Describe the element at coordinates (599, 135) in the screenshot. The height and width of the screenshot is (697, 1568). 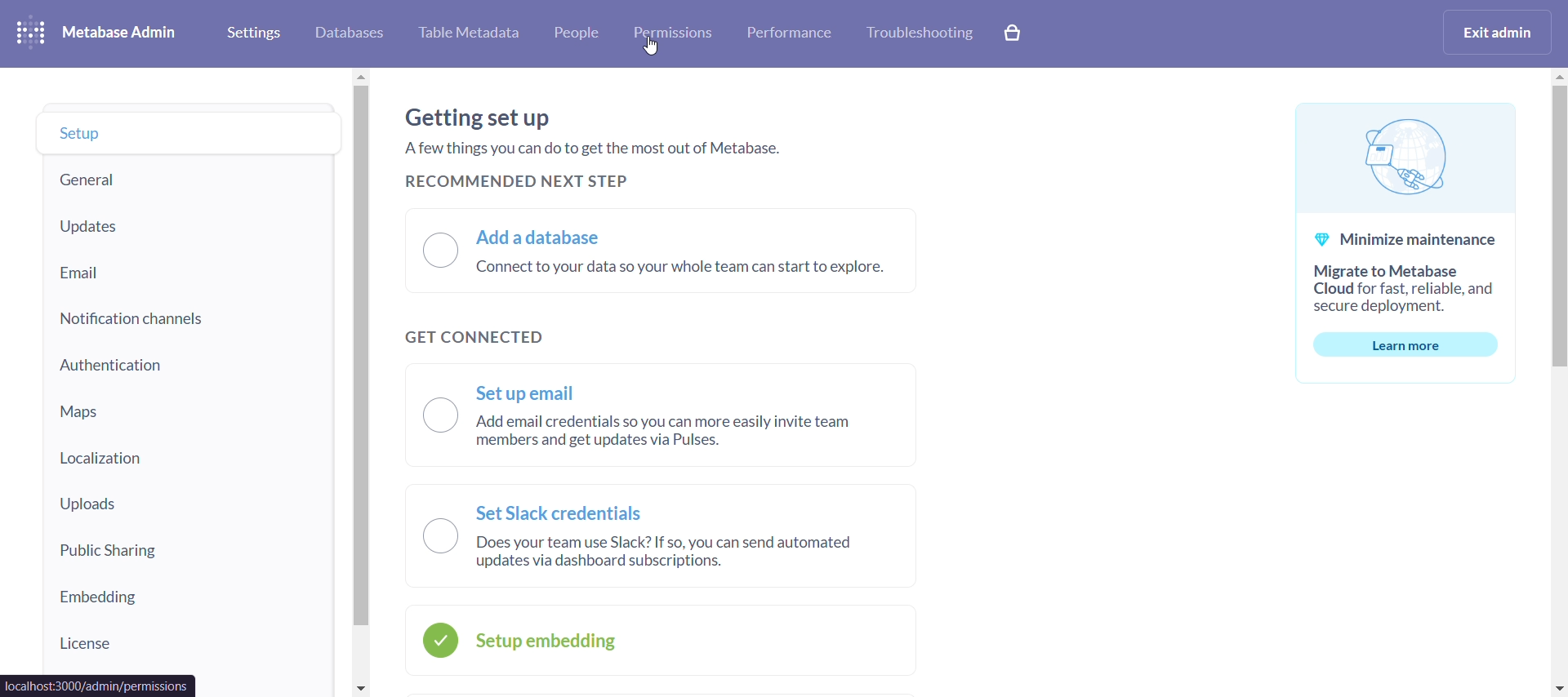
I see `getting setup` at that location.